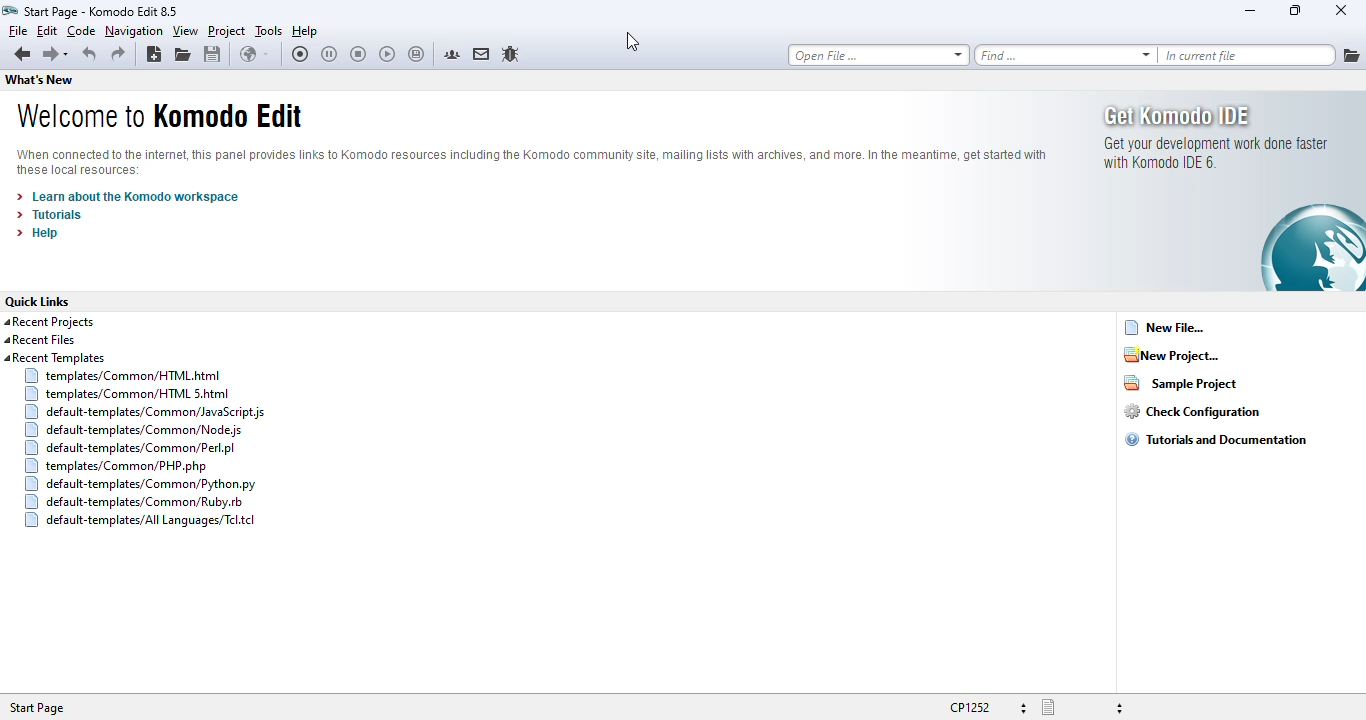 This screenshot has width=1366, height=720. I want to click on new project, so click(1171, 354).